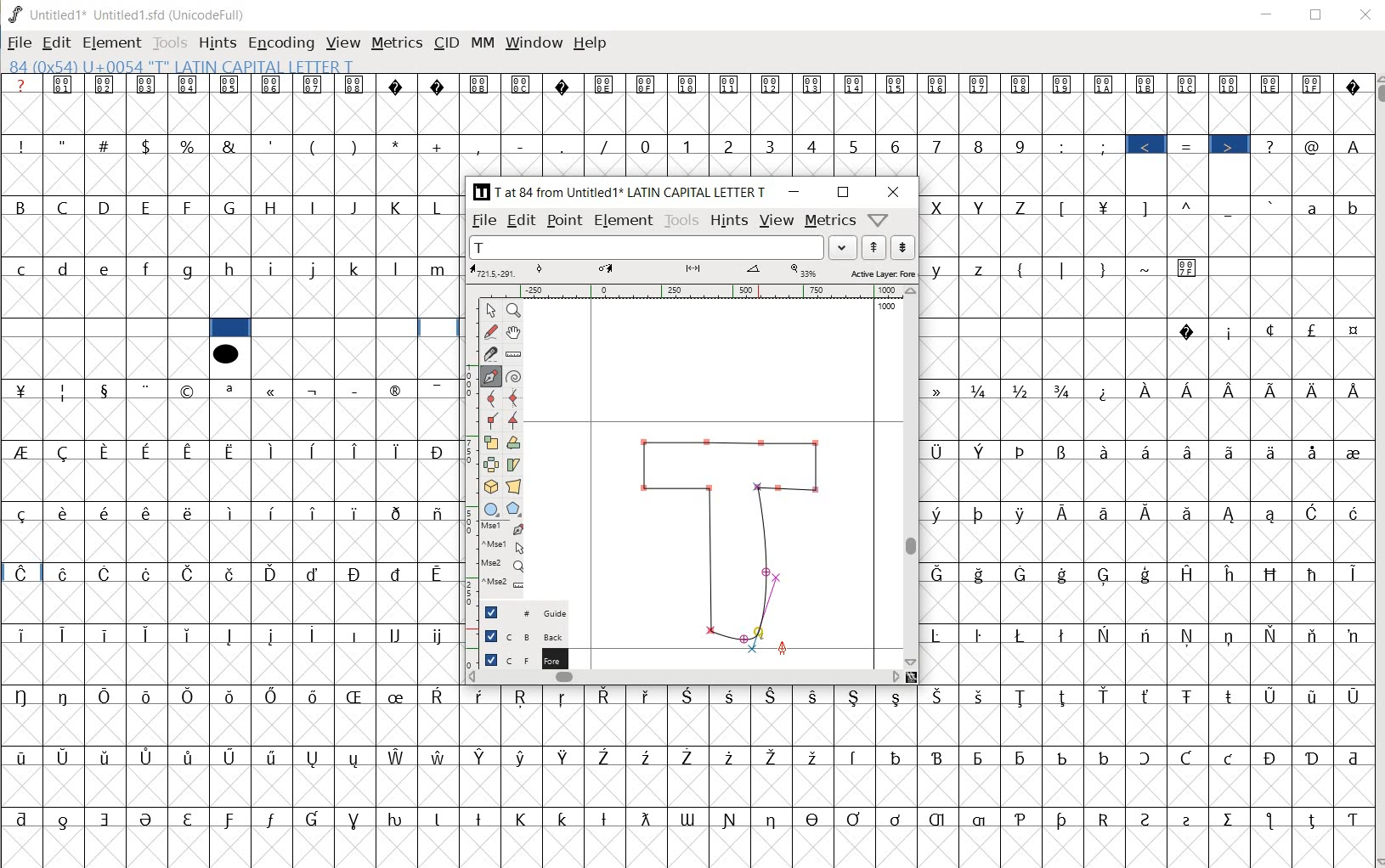 This screenshot has height=868, width=1385. What do you see at coordinates (1350, 820) in the screenshot?
I see `Symbol` at bounding box center [1350, 820].